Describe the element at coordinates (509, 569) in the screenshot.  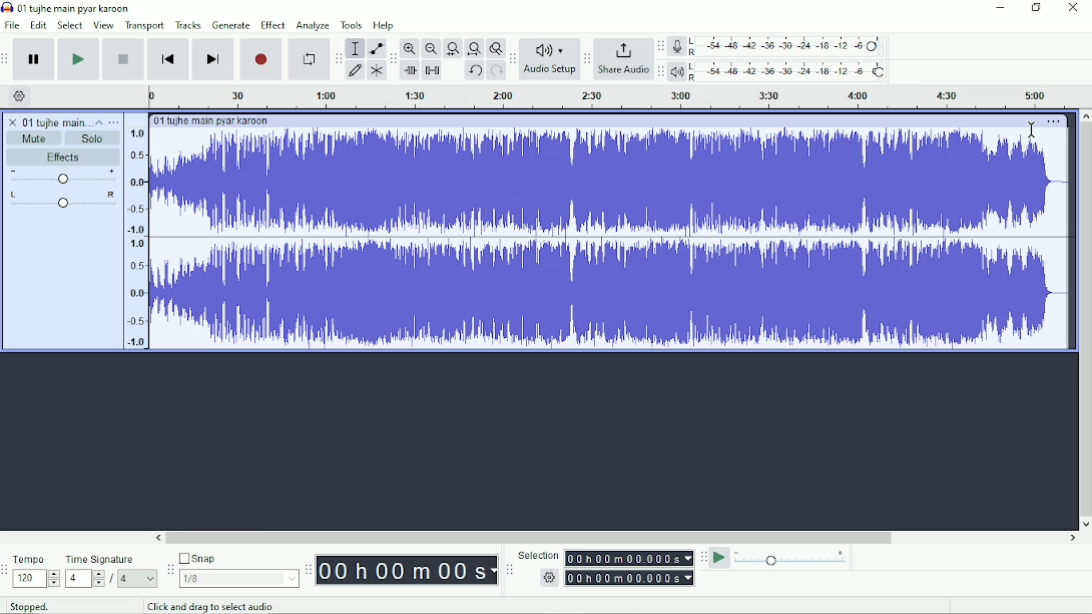
I see `Audacity selection toolbar` at that location.